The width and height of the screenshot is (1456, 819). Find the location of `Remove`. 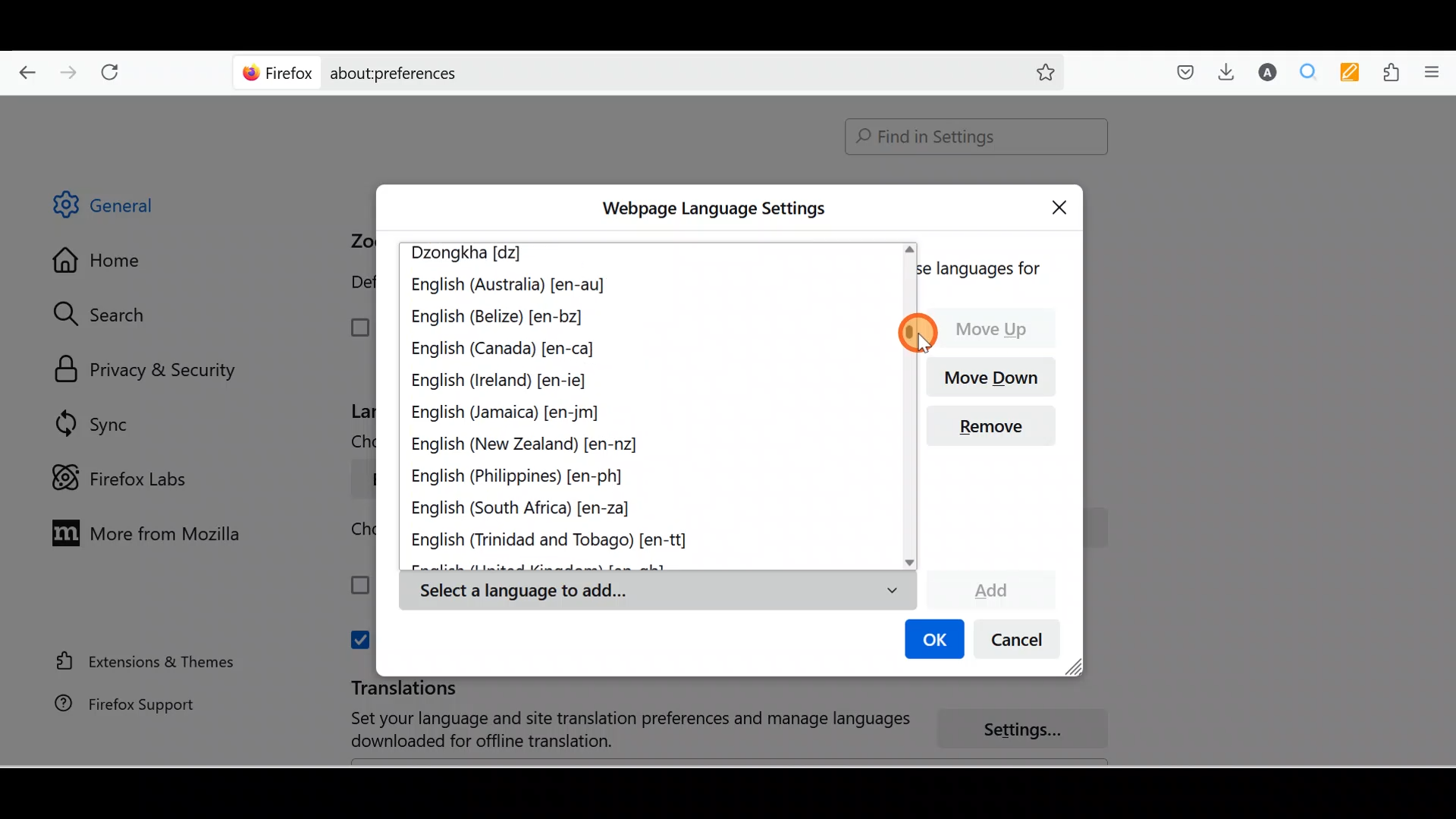

Remove is located at coordinates (997, 431).